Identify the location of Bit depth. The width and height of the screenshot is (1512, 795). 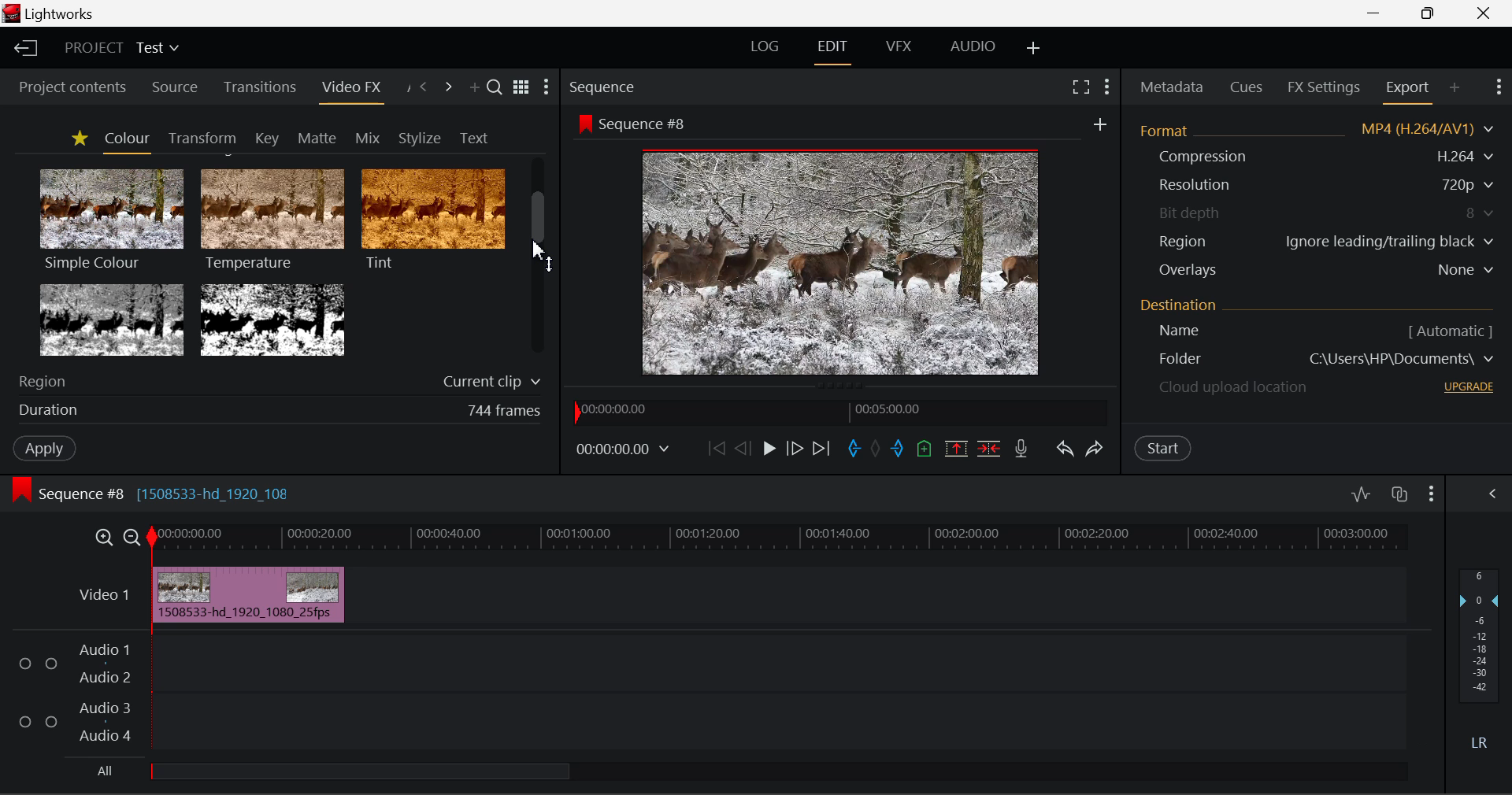
(1191, 210).